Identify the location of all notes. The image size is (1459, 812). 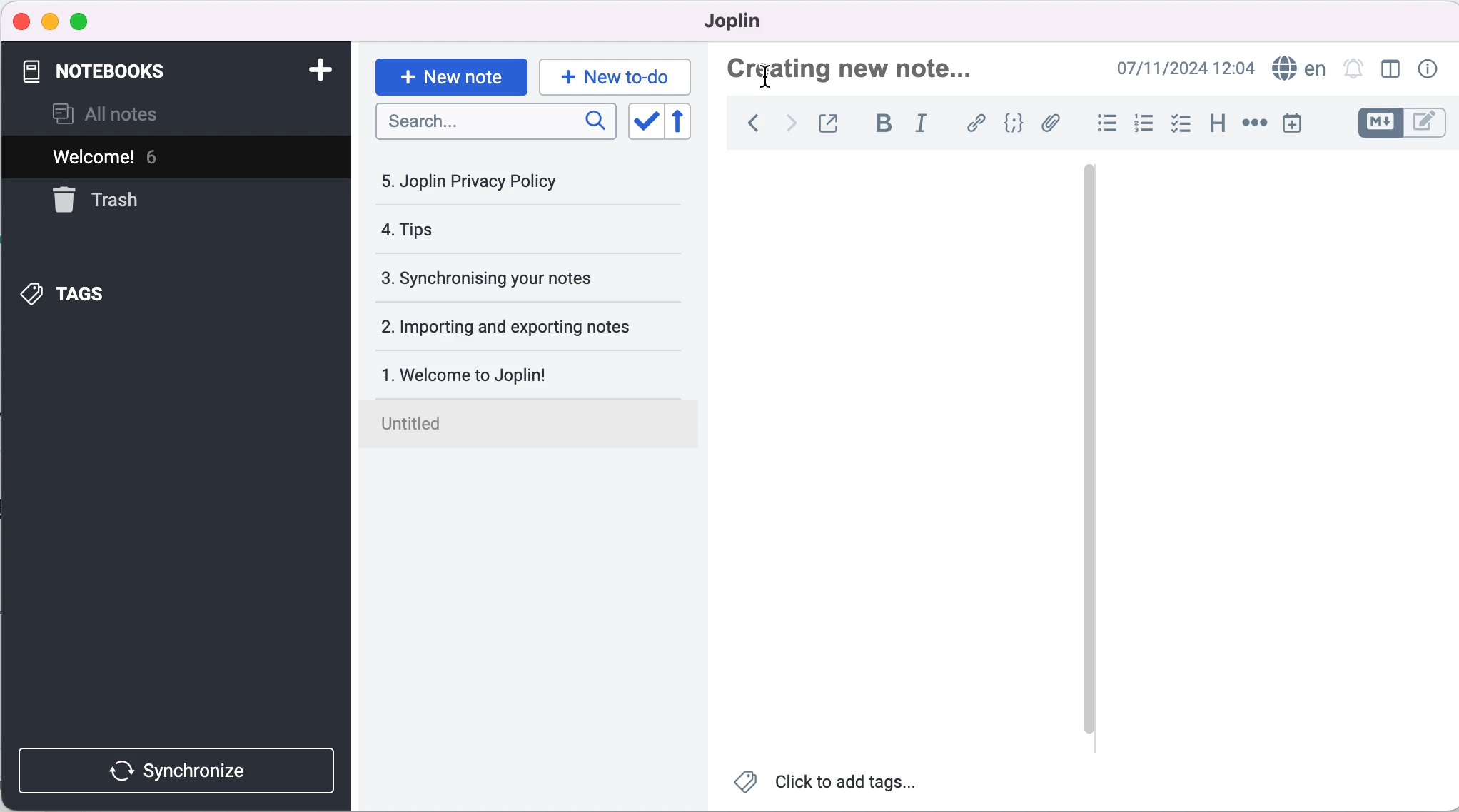
(127, 113).